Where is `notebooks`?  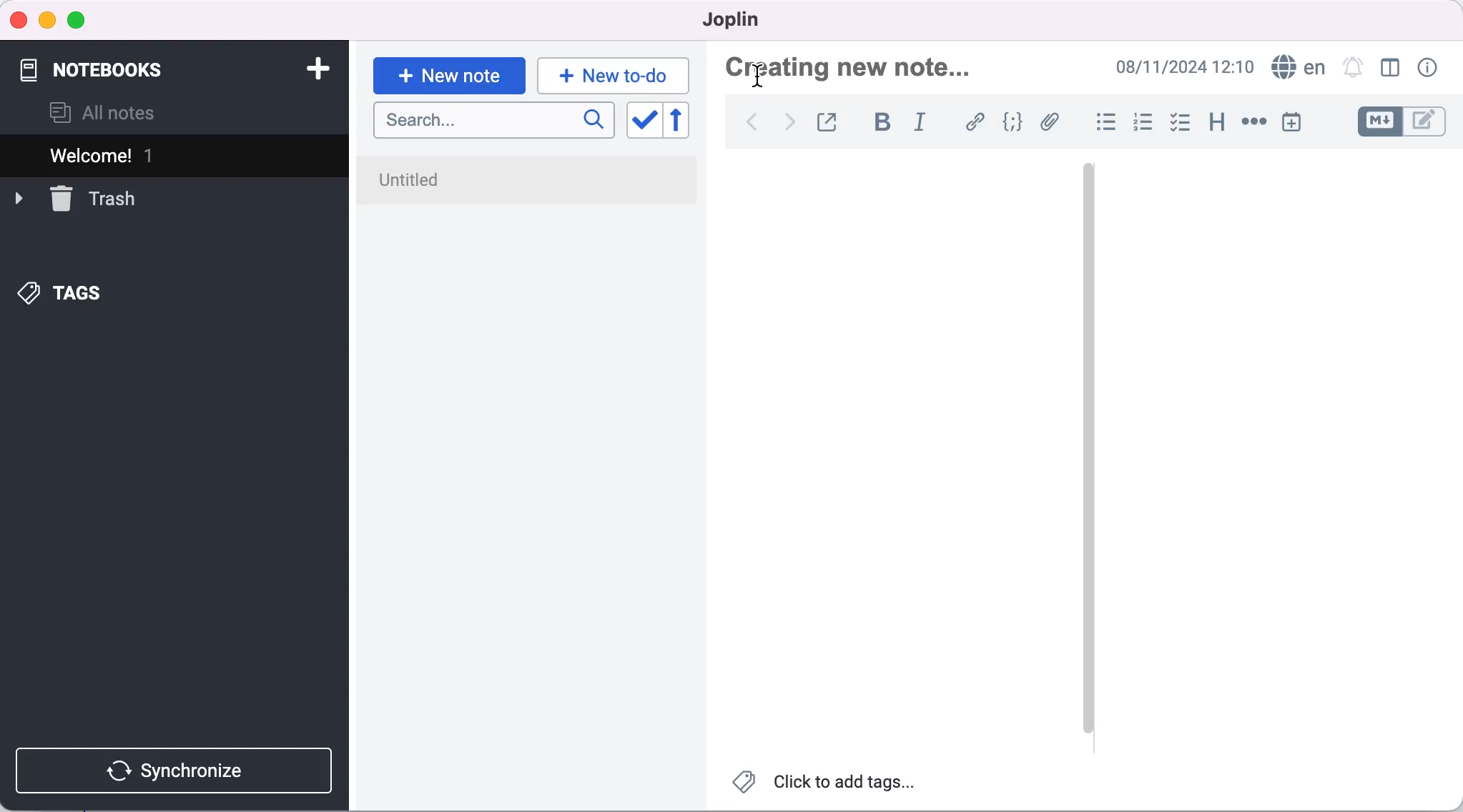 notebooks is located at coordinates (112, 66).